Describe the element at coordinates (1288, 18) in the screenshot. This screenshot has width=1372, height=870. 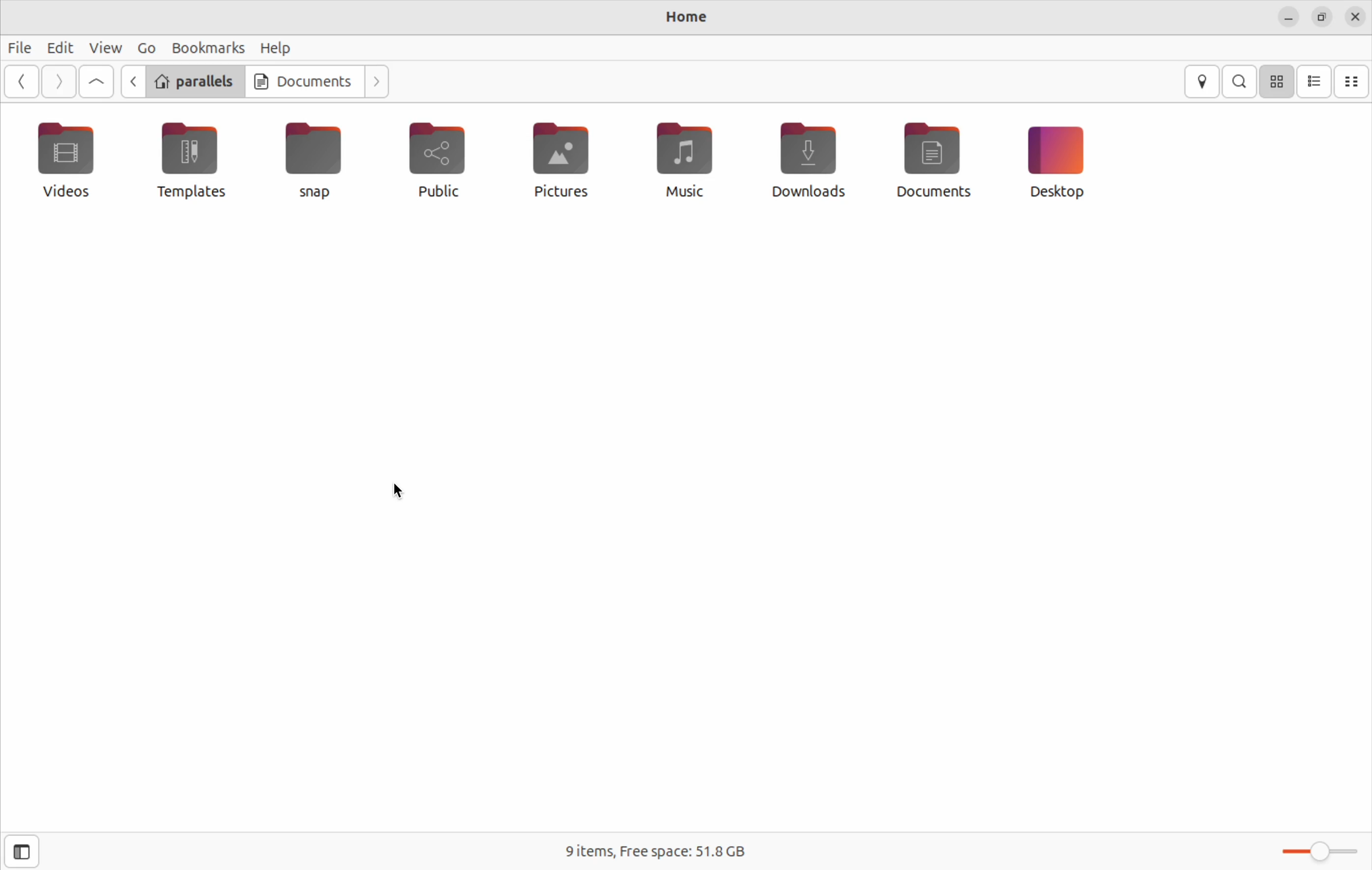
I see `minimize` at that location.